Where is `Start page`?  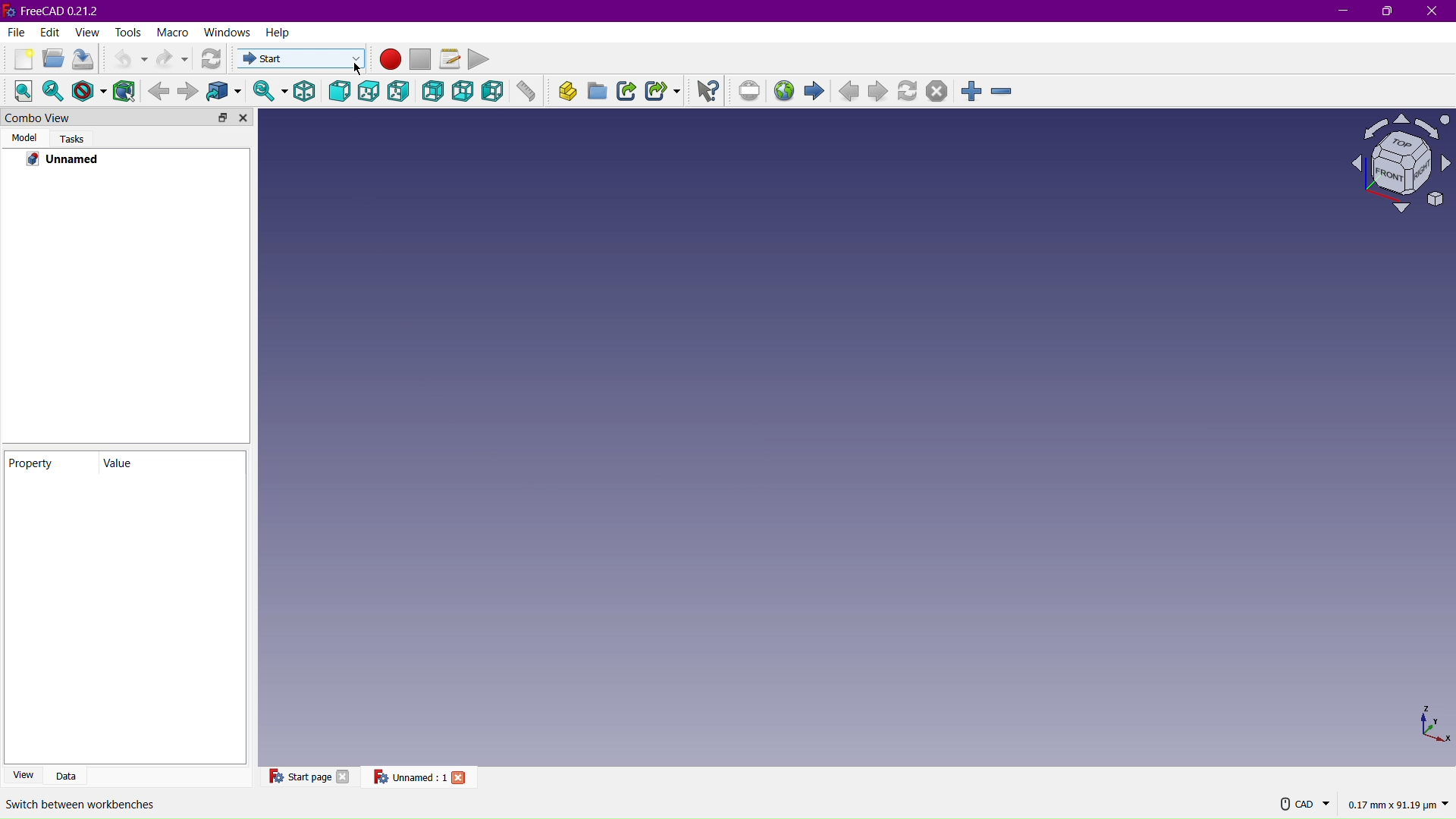 Start page is located at coordinates (298, 776).